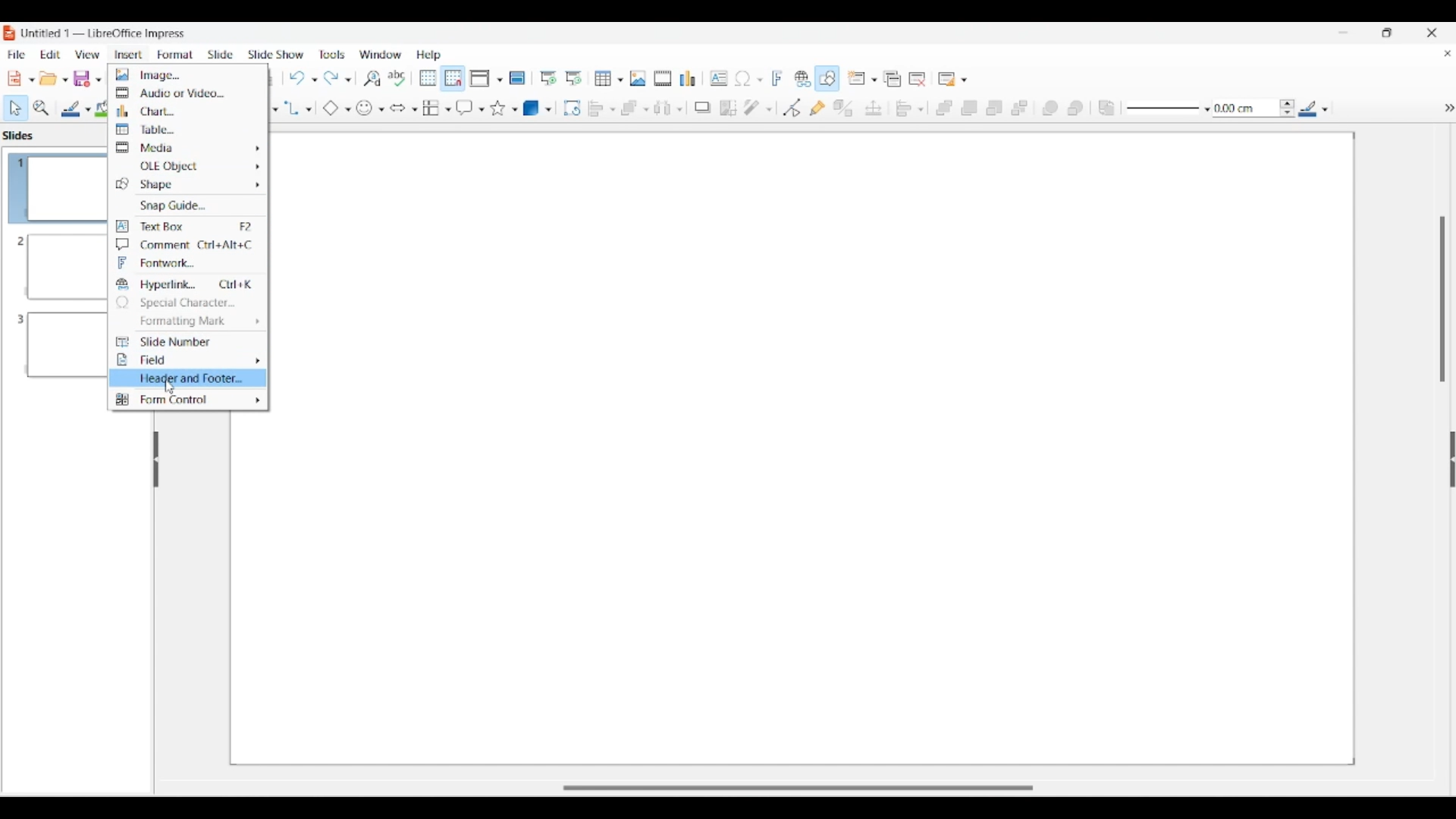  What do you see at coordinates (803, 78) in the screenshot?
I see `Insert hyperlink` at bounding box center [803, 78].